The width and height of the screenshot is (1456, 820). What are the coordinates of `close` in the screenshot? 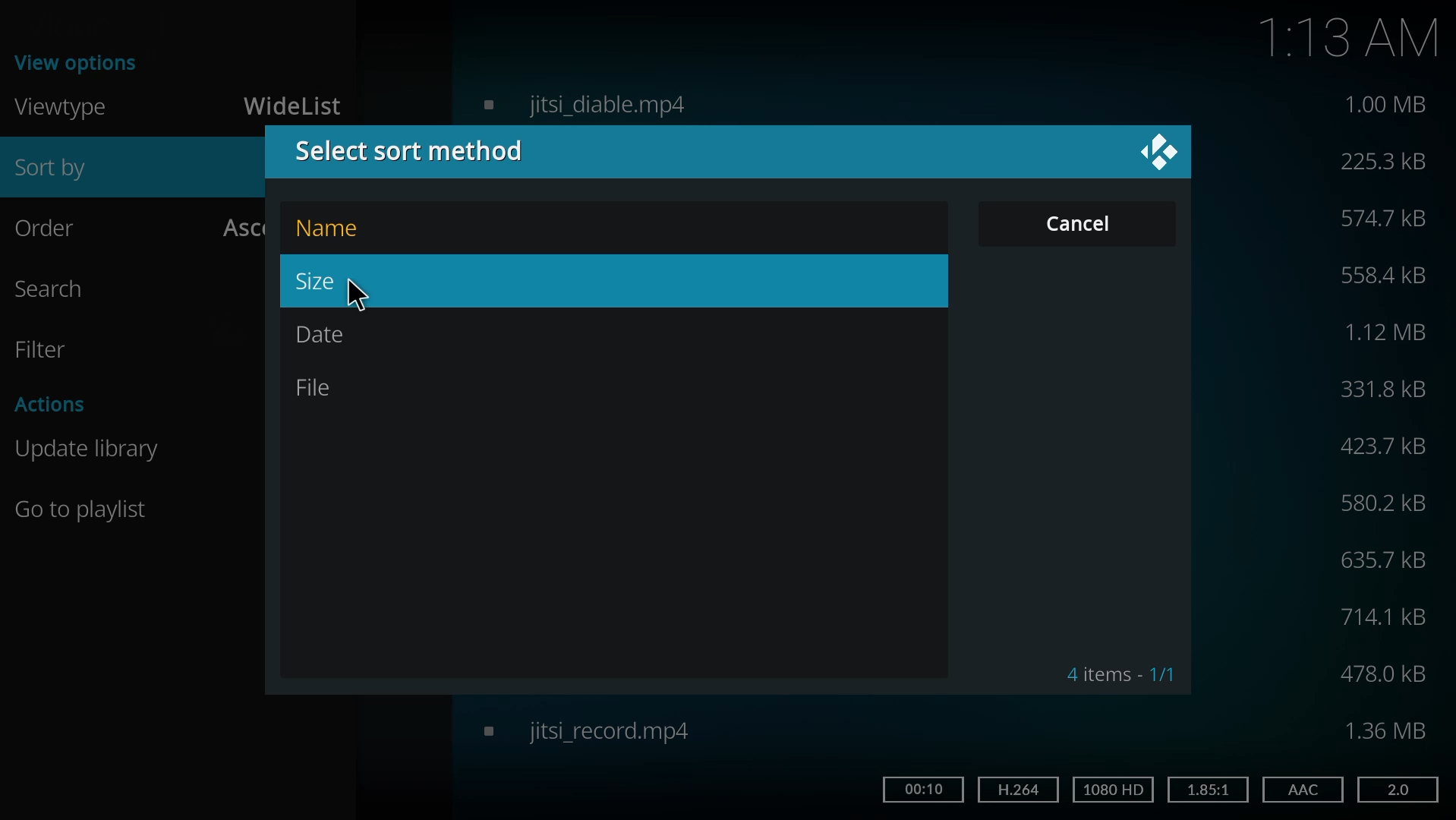 It's located at (1161, 153).